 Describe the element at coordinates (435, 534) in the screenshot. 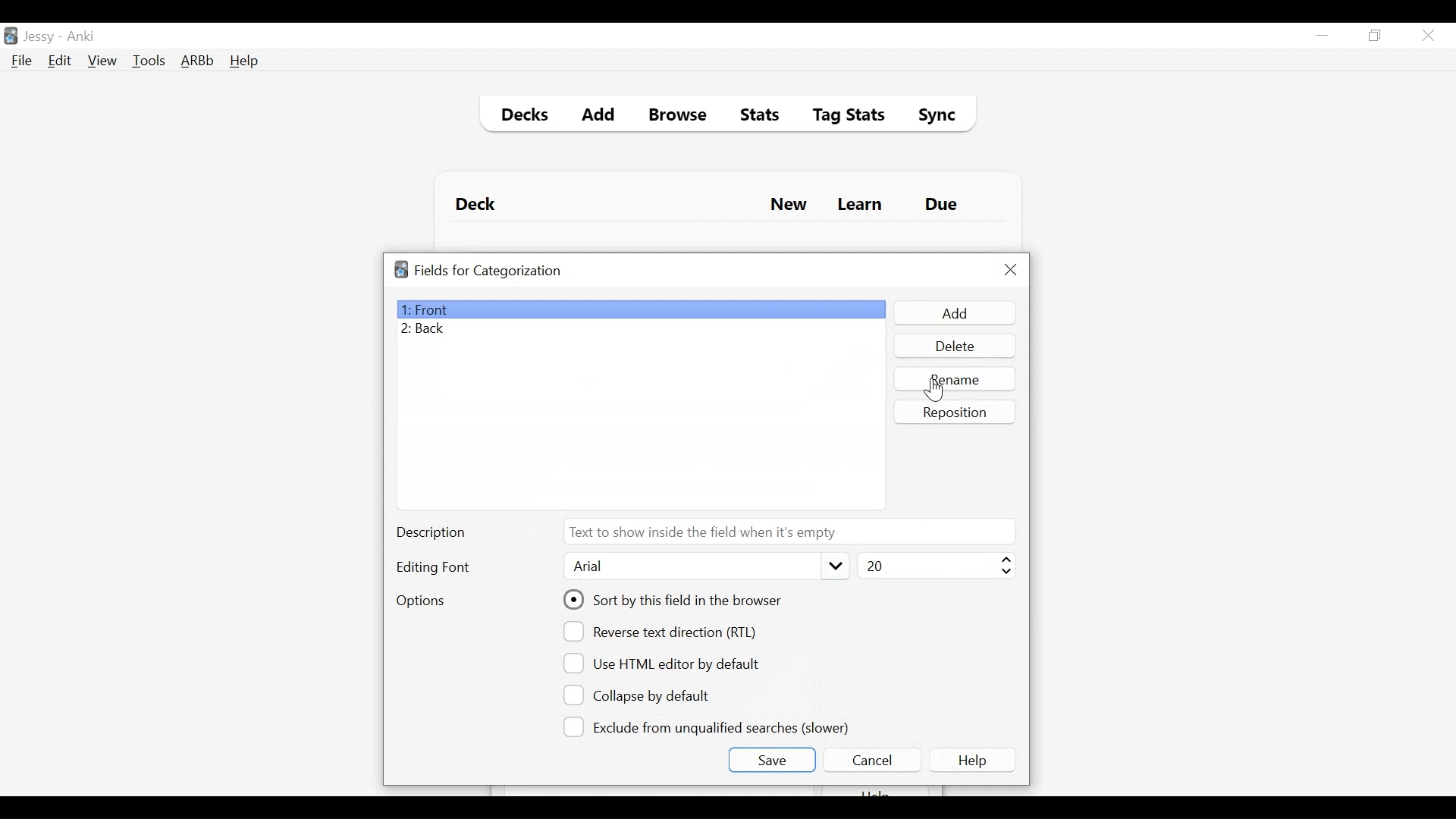

I see `Description` at that location.